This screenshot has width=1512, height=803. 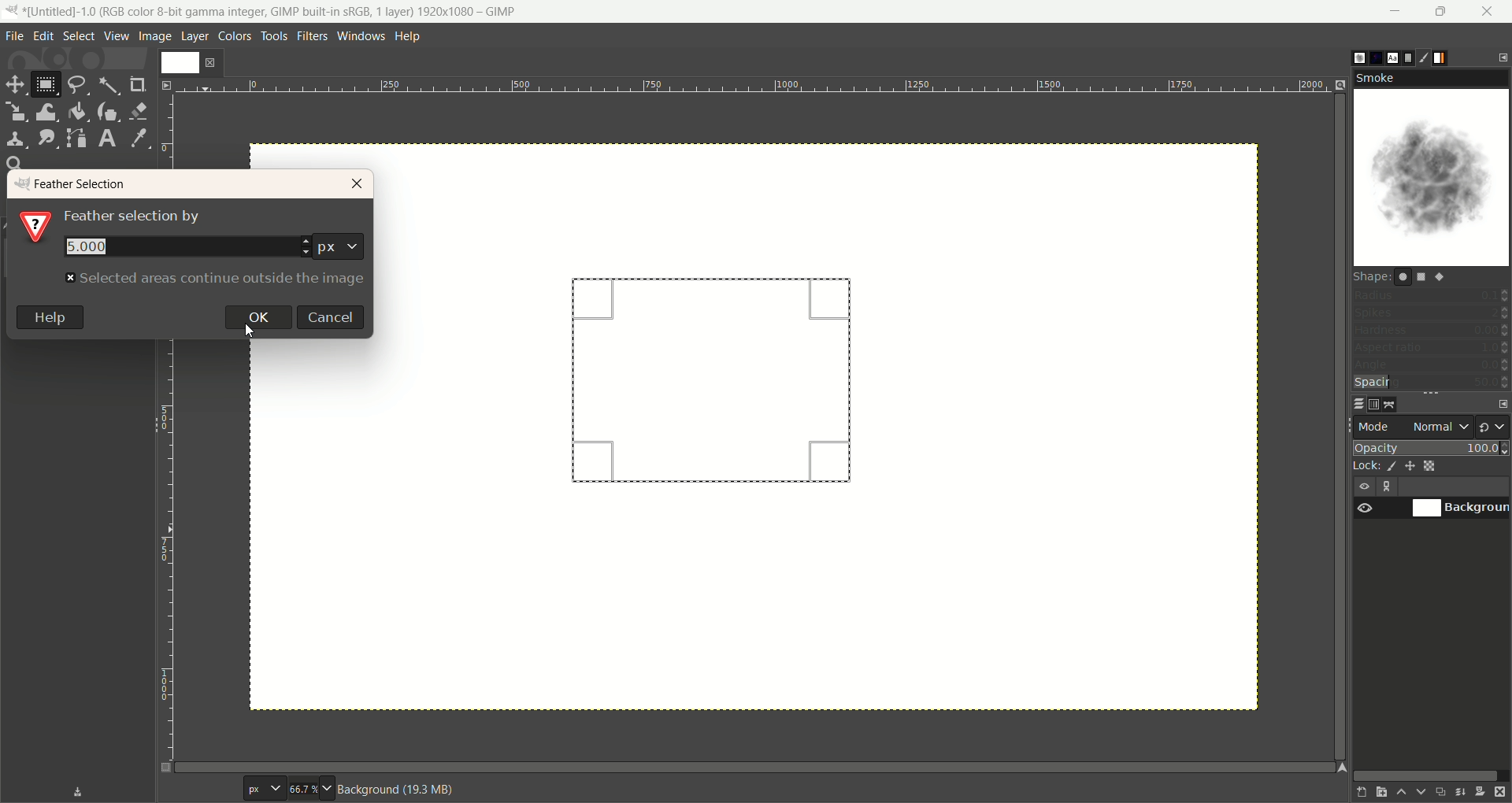 What do you see at coordinates (1358, 405) in the screenshot?
I see `layer` at bounding box center [1358, 405].